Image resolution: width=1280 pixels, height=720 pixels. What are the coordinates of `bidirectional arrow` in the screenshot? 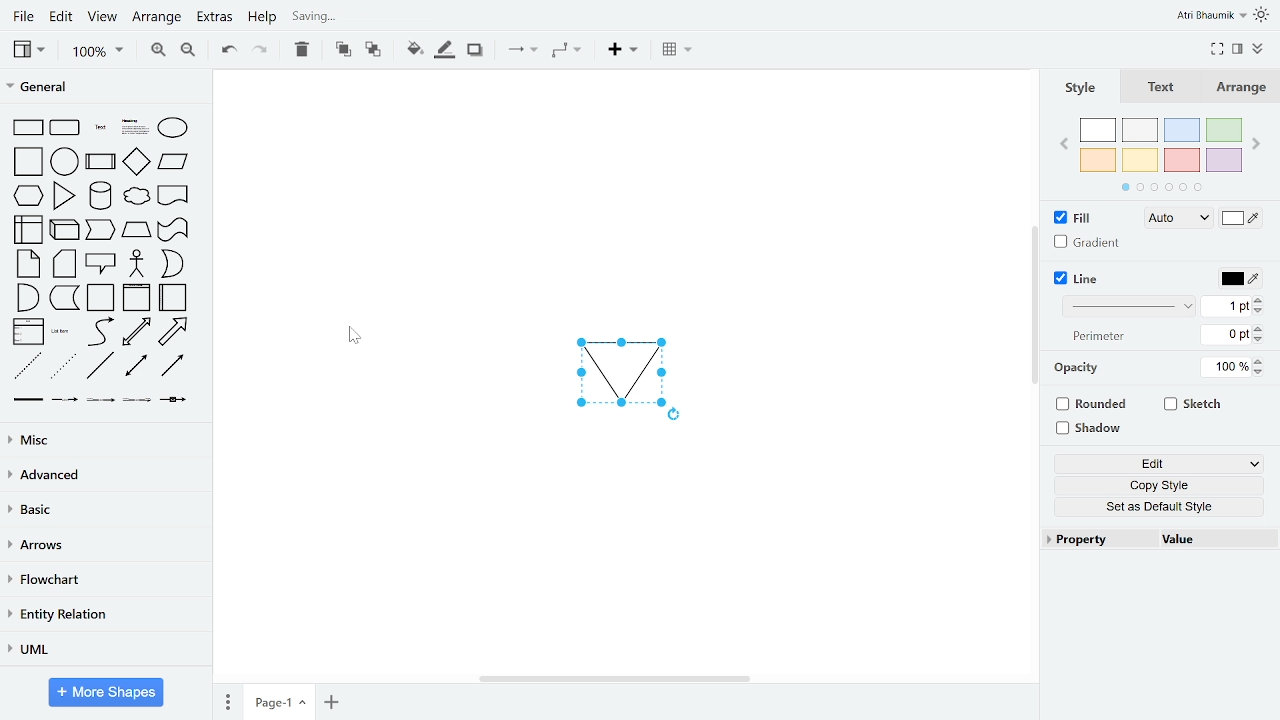 It's located at (135, 367).